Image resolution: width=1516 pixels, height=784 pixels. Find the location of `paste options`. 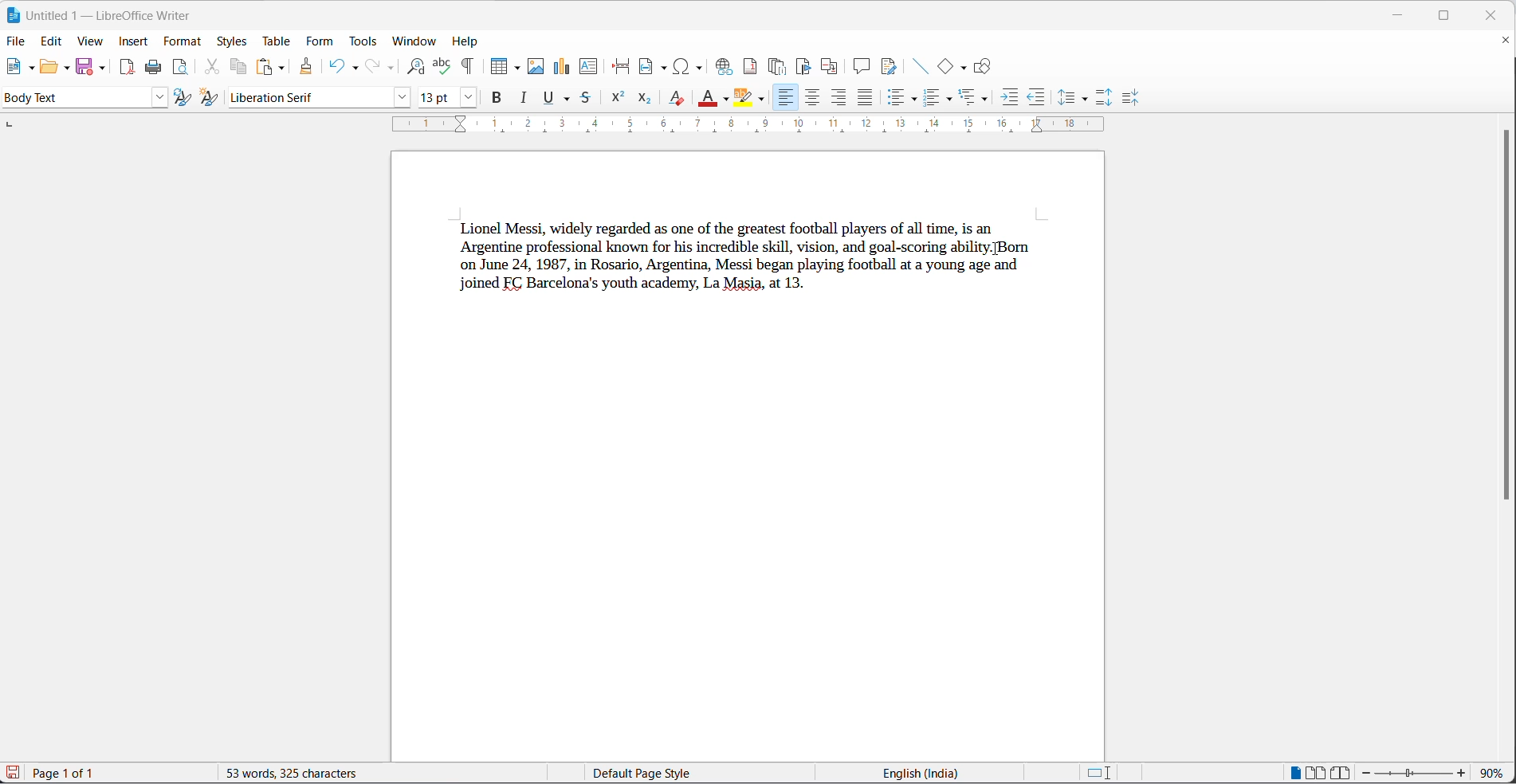

paste options is located at coordinates (262, 69).